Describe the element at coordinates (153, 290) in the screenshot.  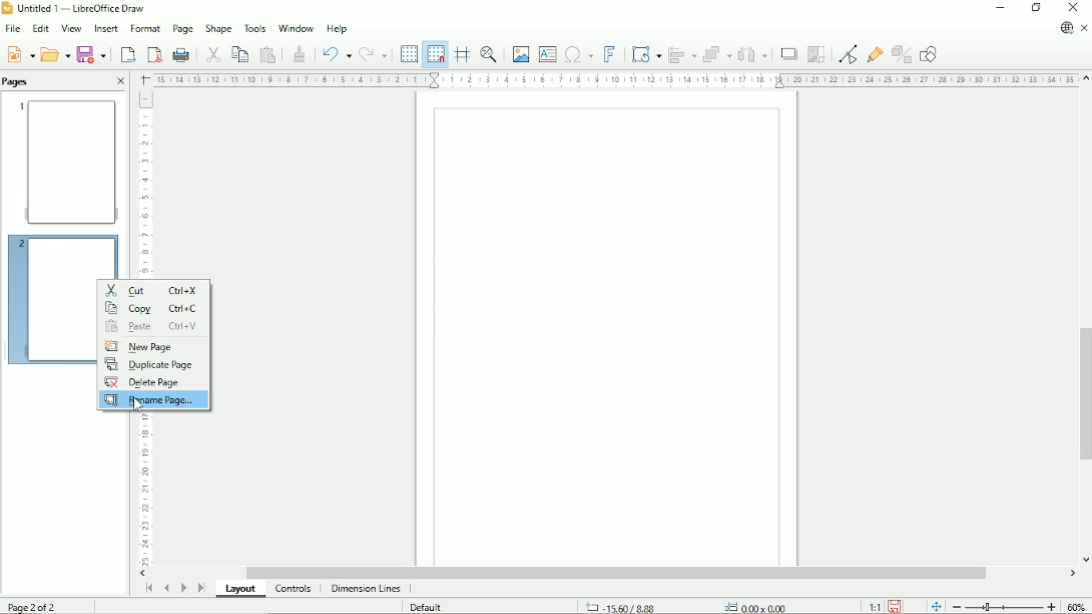
I see `Cut` at that location.